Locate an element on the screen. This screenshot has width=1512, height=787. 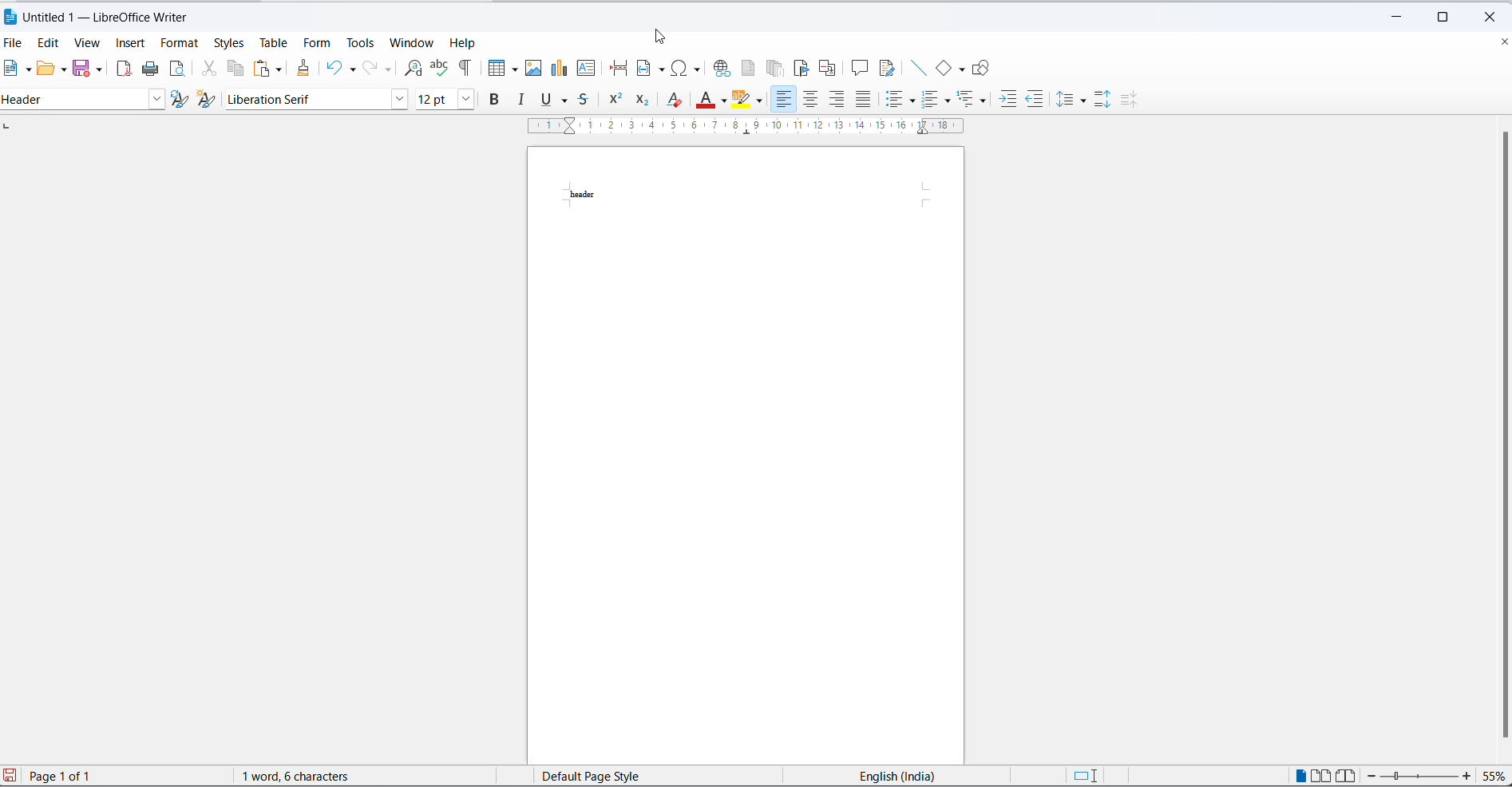
toggle formatting marks is located at coordinates (467, 68).